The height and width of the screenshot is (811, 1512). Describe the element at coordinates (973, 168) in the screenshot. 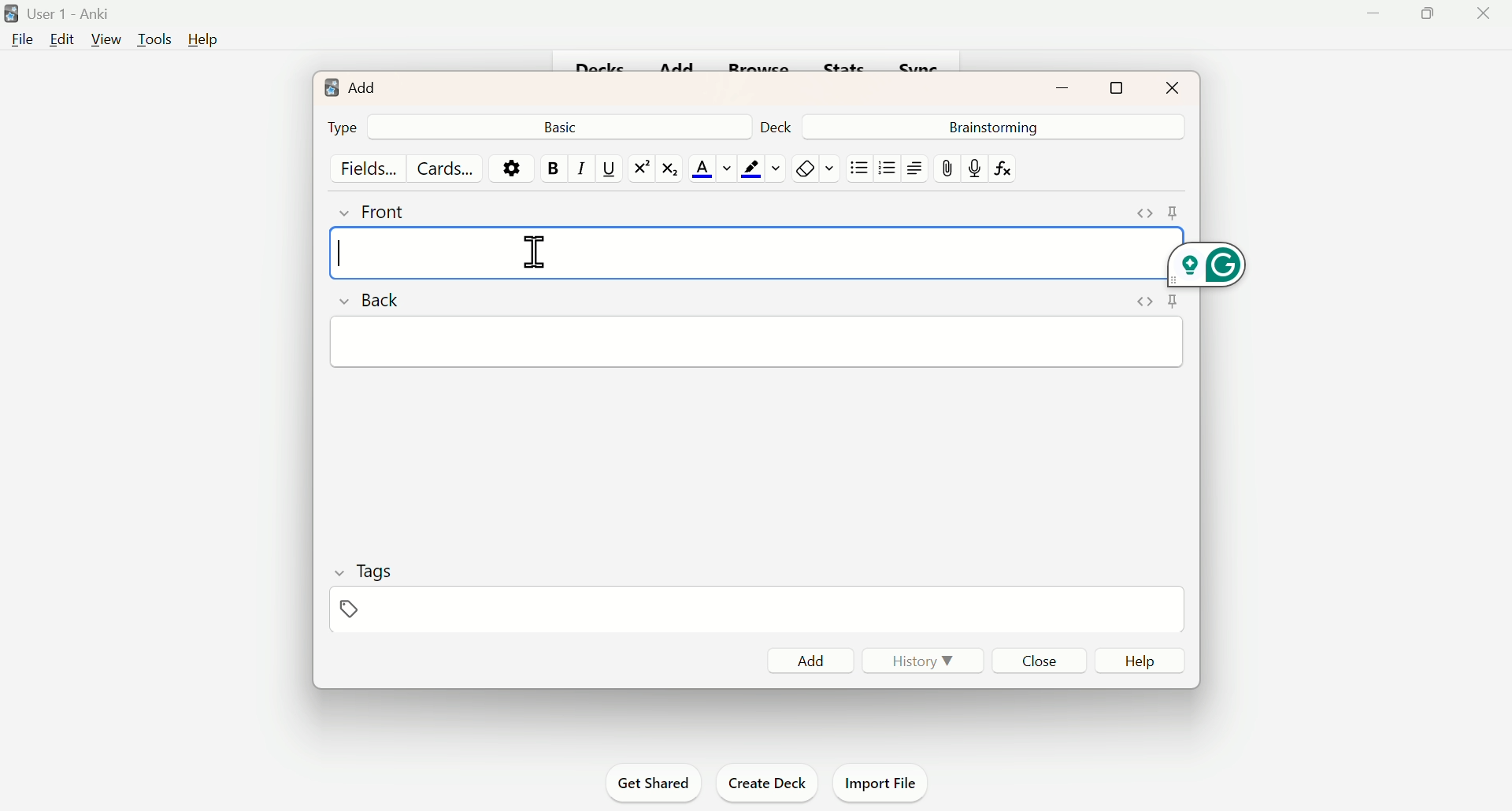

I see `mic` at that location.